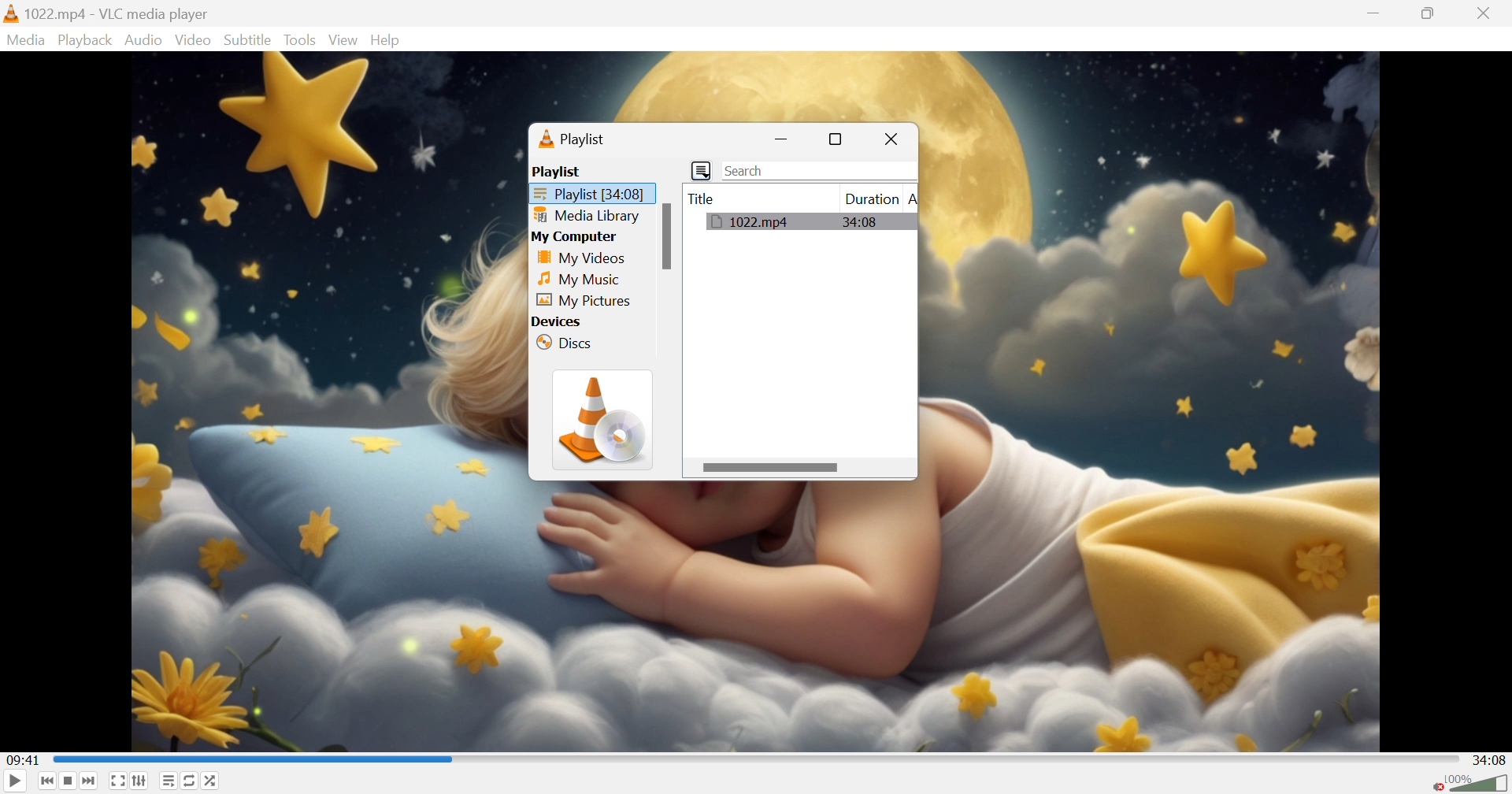 This screenshot has width=1512, height=794. What do you see at coordinates (1430, 13) in the screenshot?
I see `Restore down` at bounding box center [1430, 13].